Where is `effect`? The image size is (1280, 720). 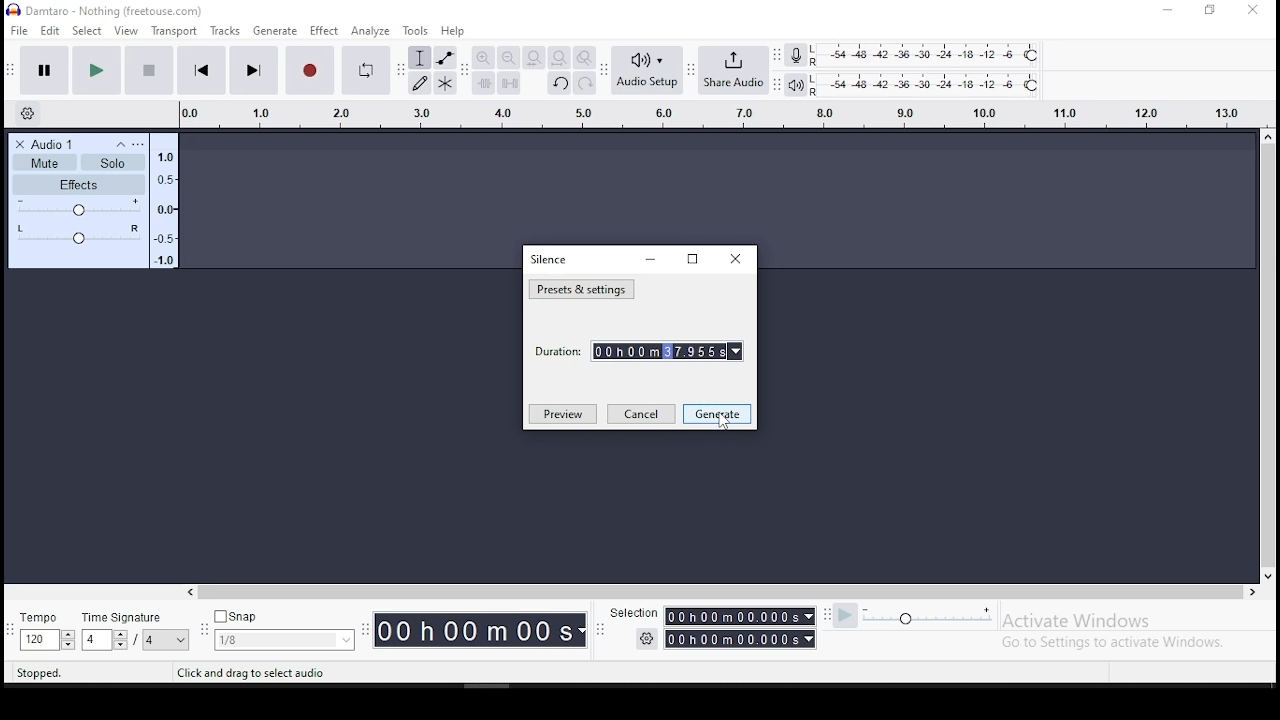
effect is located at coordinates (325, 31).